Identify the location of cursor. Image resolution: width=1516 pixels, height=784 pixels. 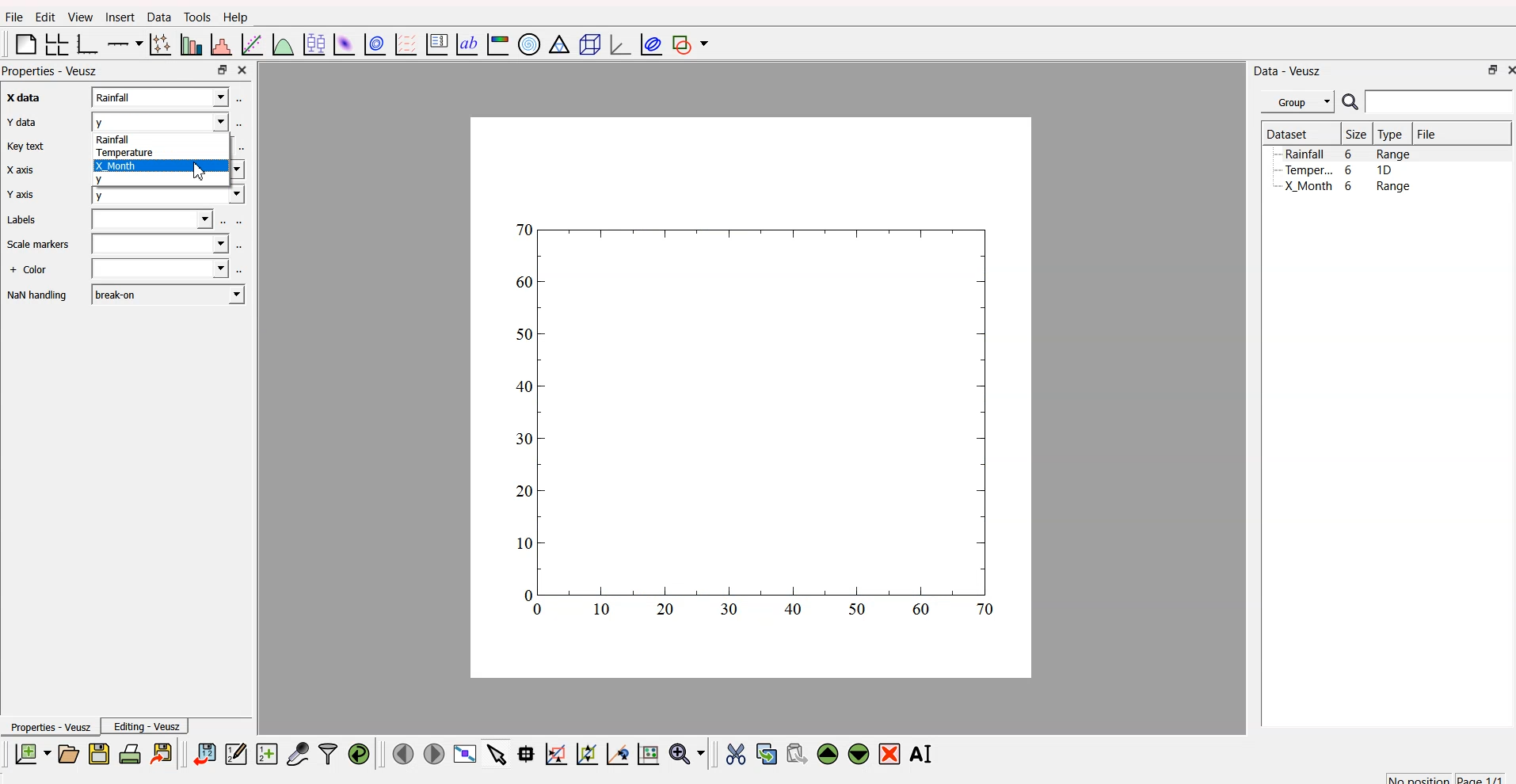
(196, 169).